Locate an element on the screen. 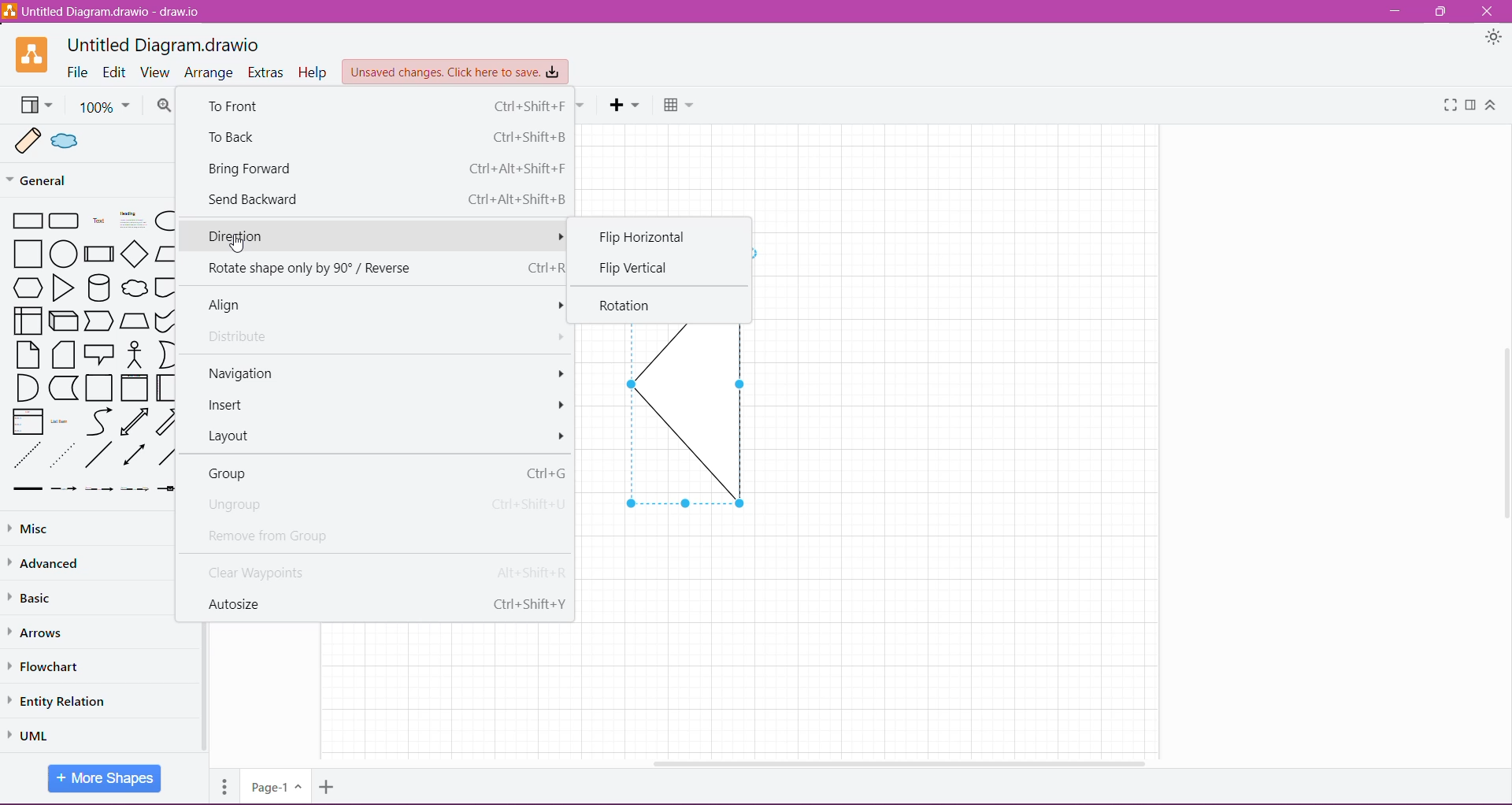 This screenshot has height=805, width=1512. Shapes is located at coordinates (91, 353).